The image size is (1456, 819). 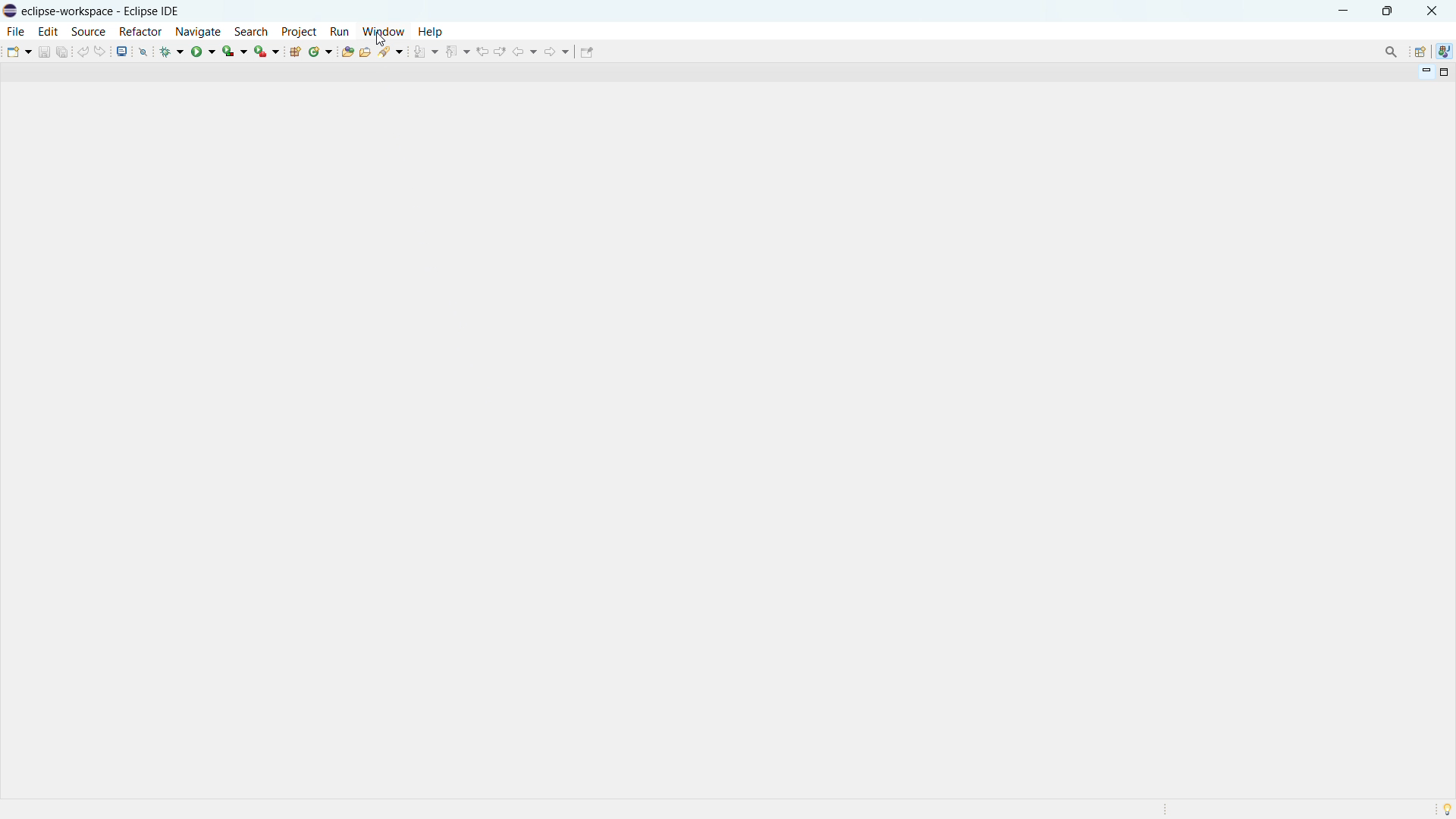 What do you see at coordinates (141, 33) in the screenshot?
I see `refactor` at bounding box center [141, 33].